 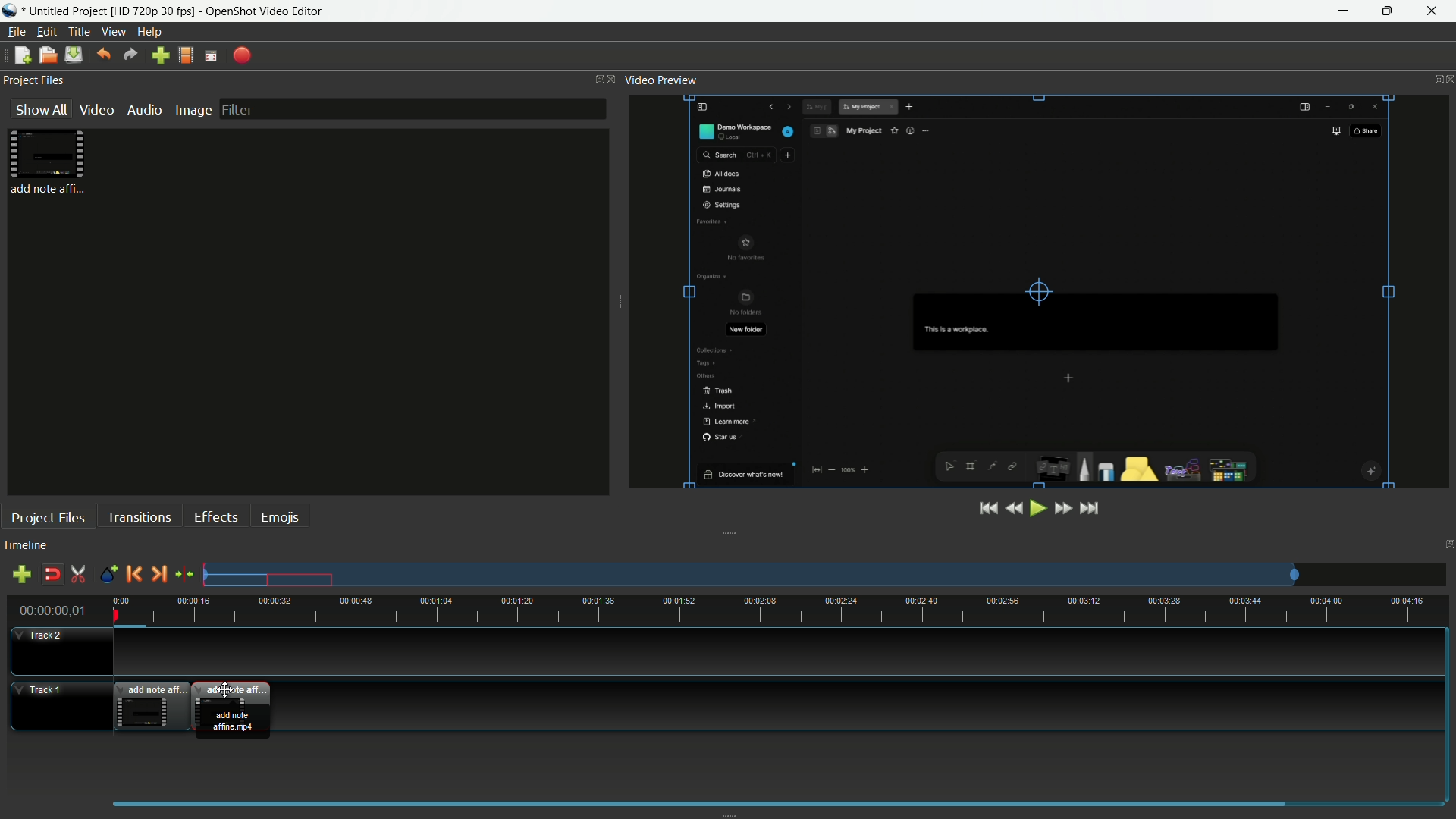 What do you see at coordinates (664, 80) in the screenshot?
I see `video preview` at bounding box center [664, 80].